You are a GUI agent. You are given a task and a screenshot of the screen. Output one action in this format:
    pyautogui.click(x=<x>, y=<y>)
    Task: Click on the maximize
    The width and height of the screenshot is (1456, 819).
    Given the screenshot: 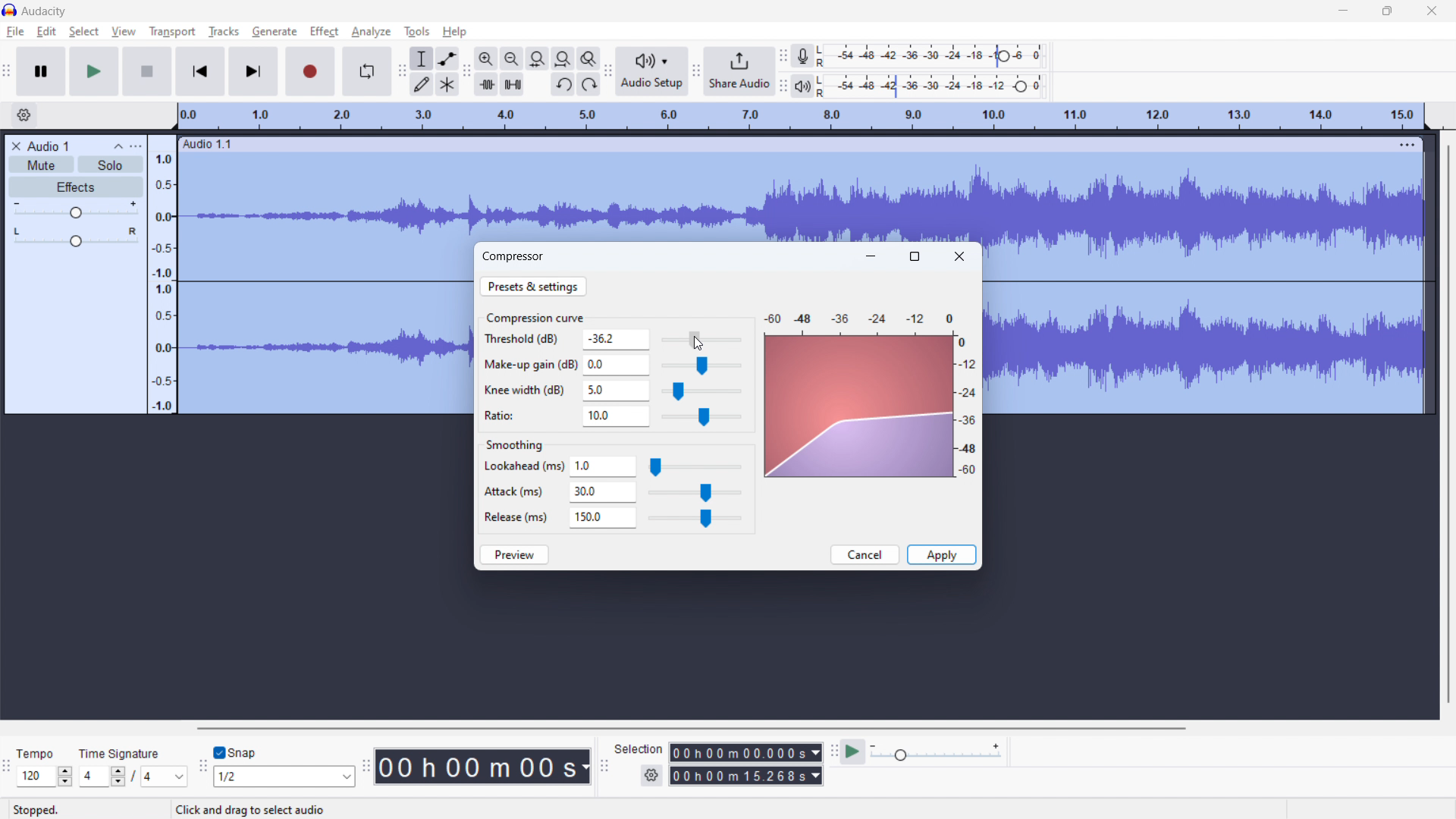 What is the action you would take?
    pyautogui.click(x=915, y=256)
    